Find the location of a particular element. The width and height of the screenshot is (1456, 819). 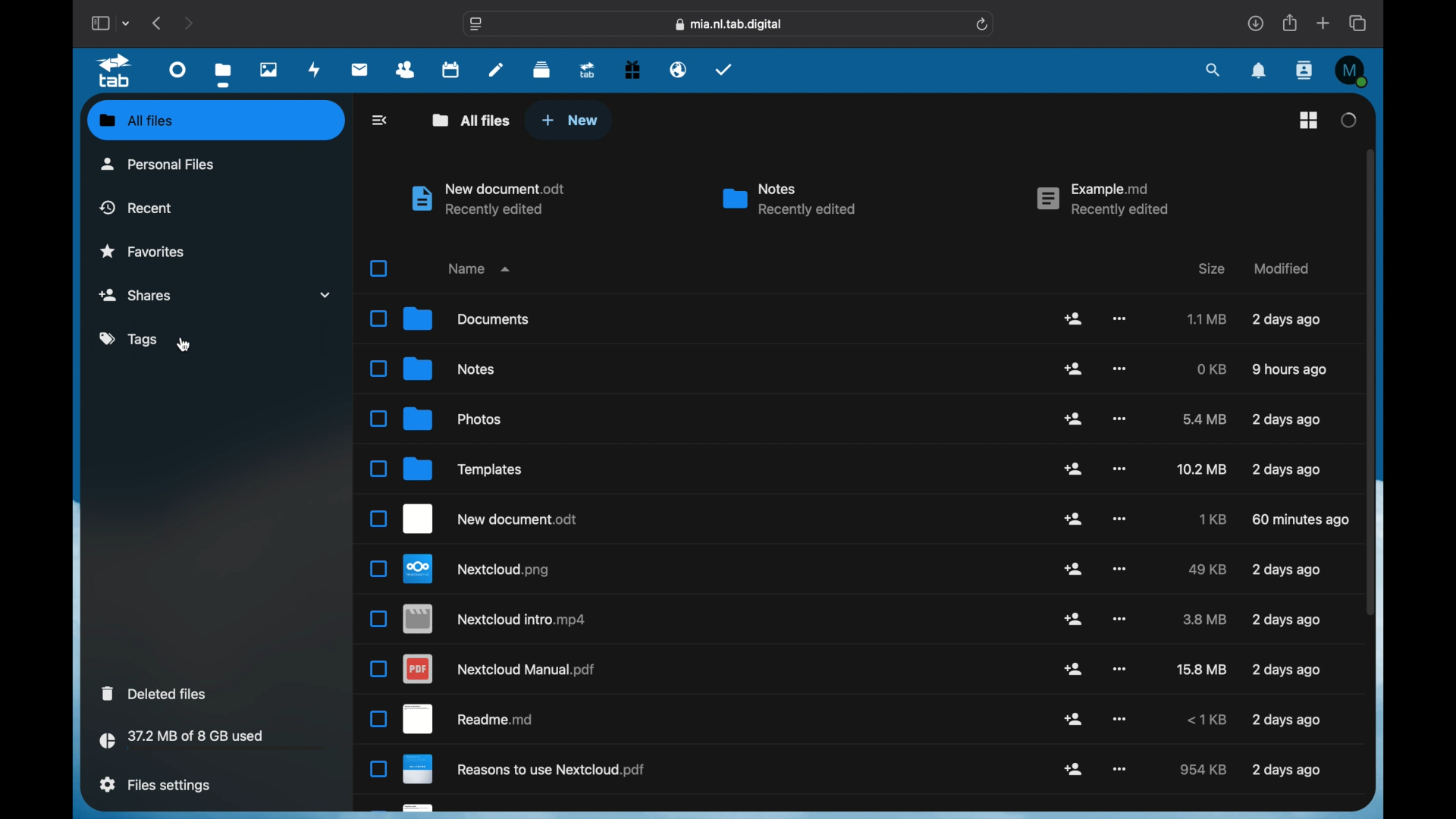

share is located at coordinates (1074, 468).